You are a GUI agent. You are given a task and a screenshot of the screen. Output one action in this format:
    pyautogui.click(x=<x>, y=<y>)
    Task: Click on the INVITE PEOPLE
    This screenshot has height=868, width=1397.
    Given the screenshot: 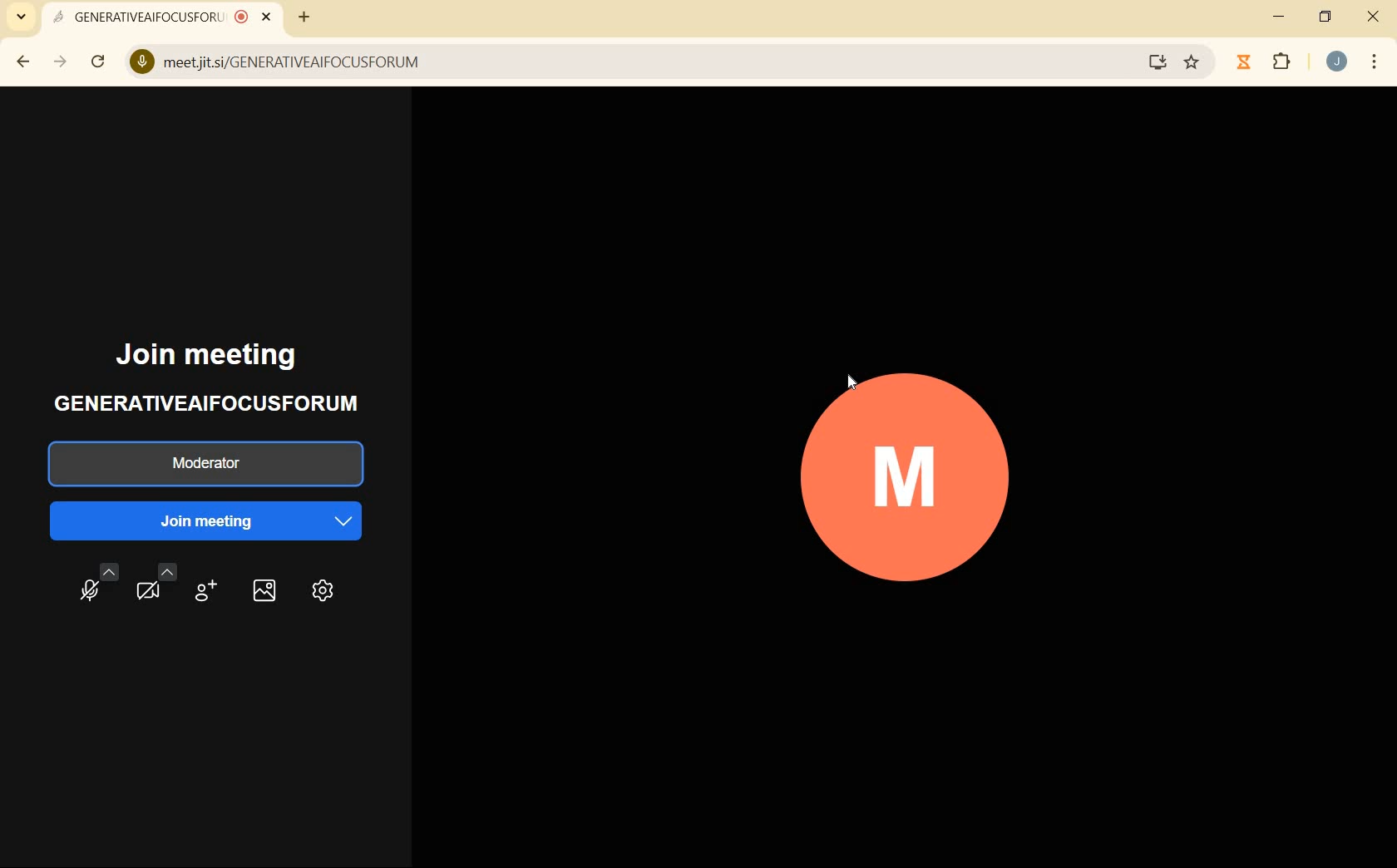 What is the action you would take?
    pyautogui.click(x=205, y=592)
    